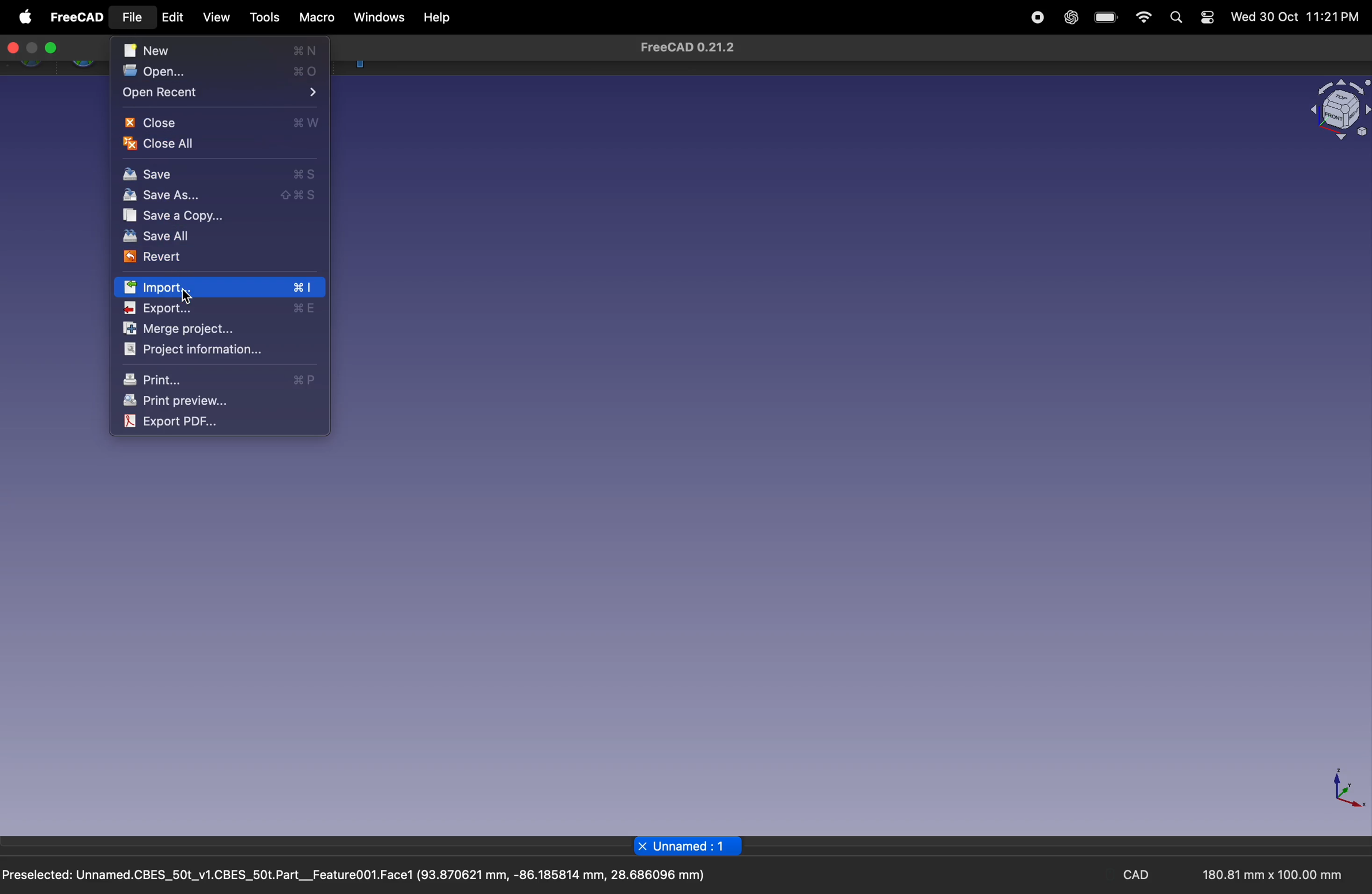 The height and width of the screenshot is (894, 1372). I want to click on new, so click(221, 51).